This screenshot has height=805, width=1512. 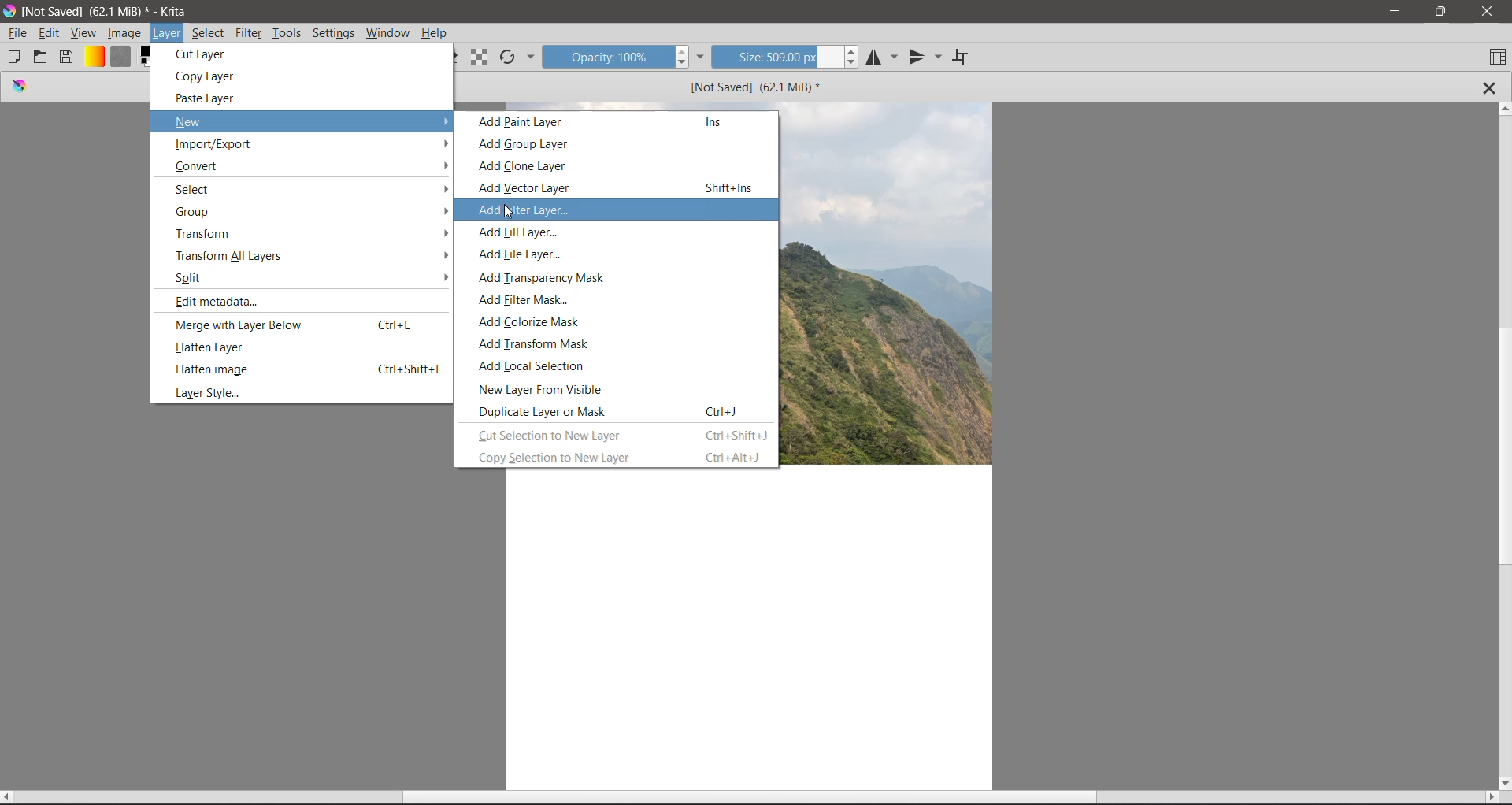 I want to click on Add Clone Layer, so click(x=528, y=168).